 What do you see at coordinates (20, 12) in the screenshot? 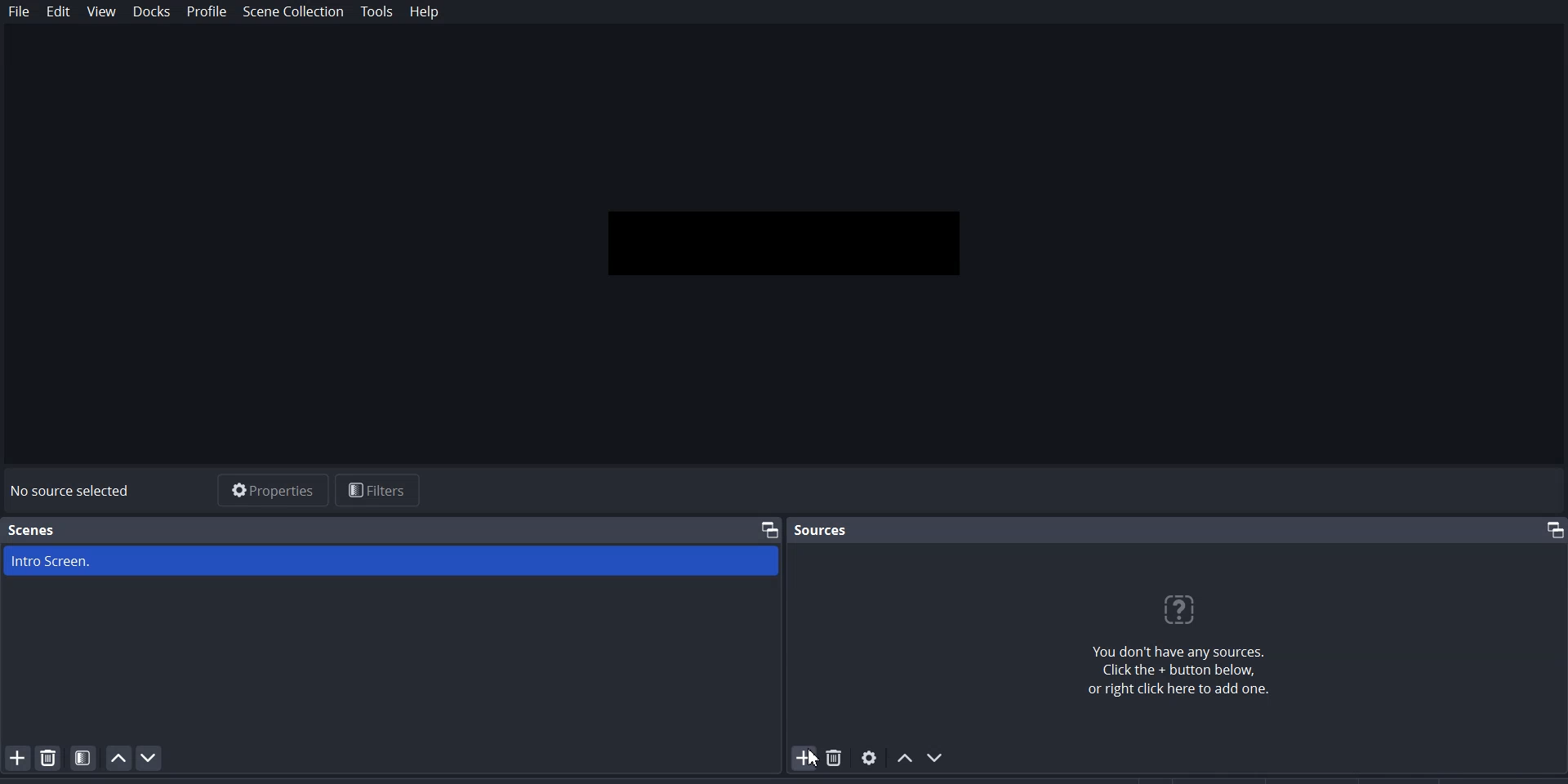
I see `File` at bounding box center [20, 12].